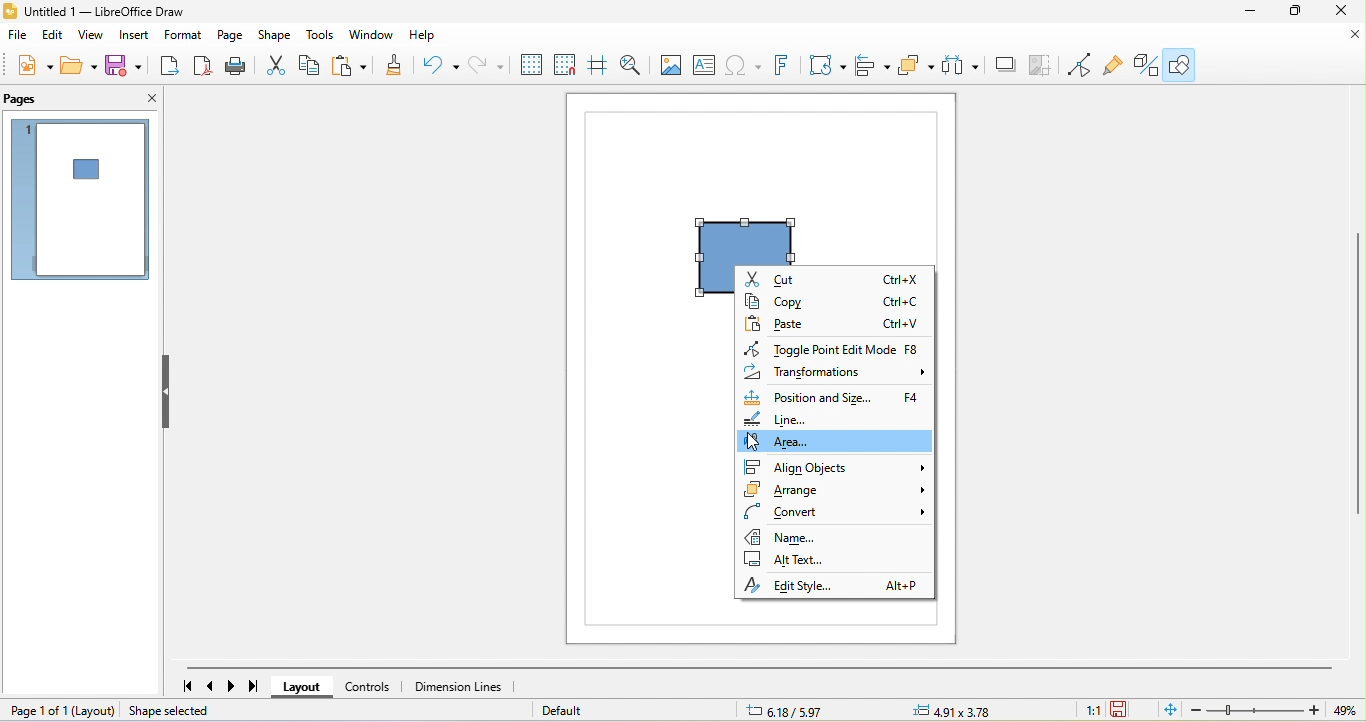  What do you see at coordinates (632, 64) in the screenshot?
I see `zoom and pan` at bounding box center [632, 64].